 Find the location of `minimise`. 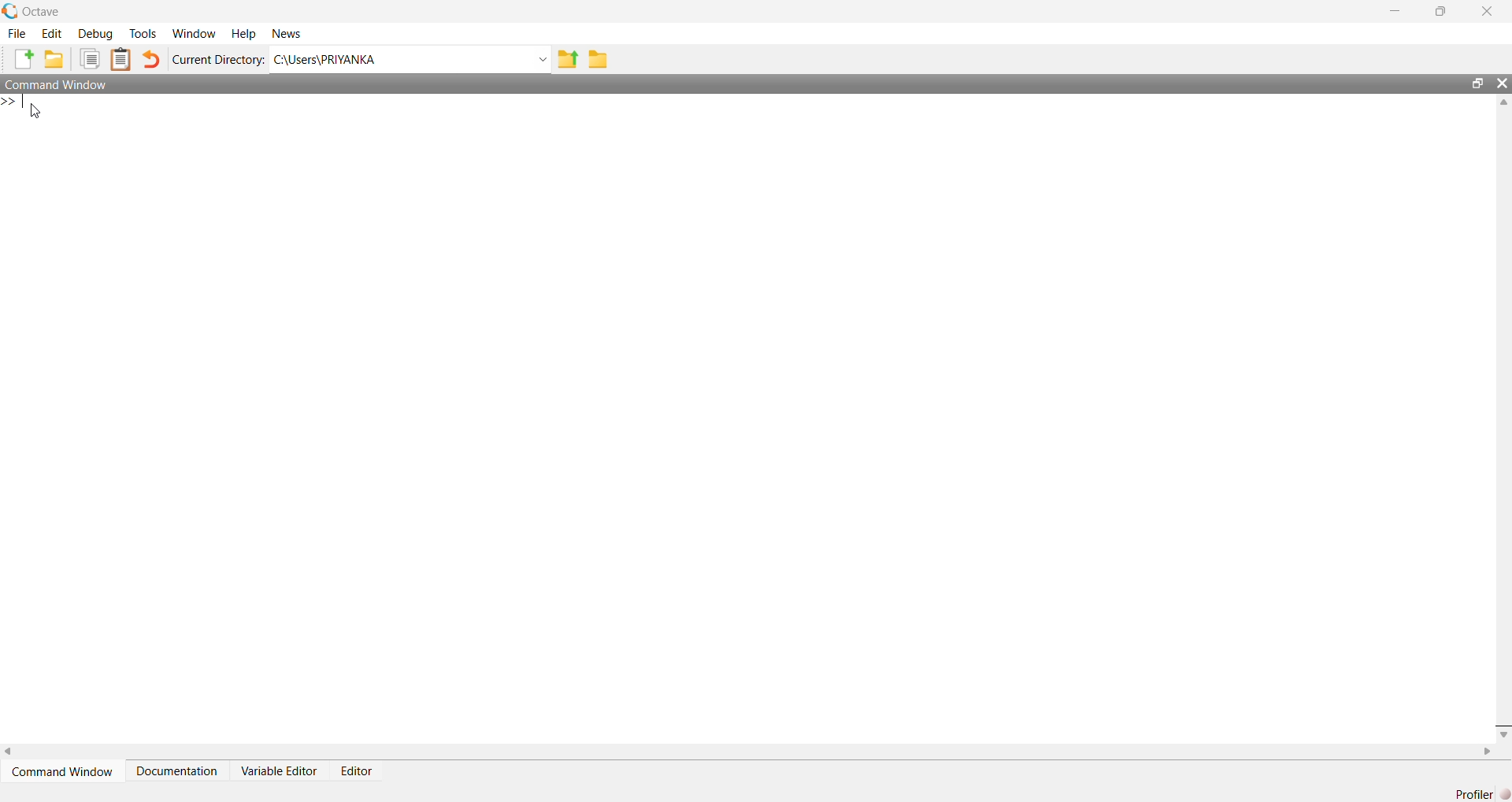

minimise is located at coordinates (1397, 9).